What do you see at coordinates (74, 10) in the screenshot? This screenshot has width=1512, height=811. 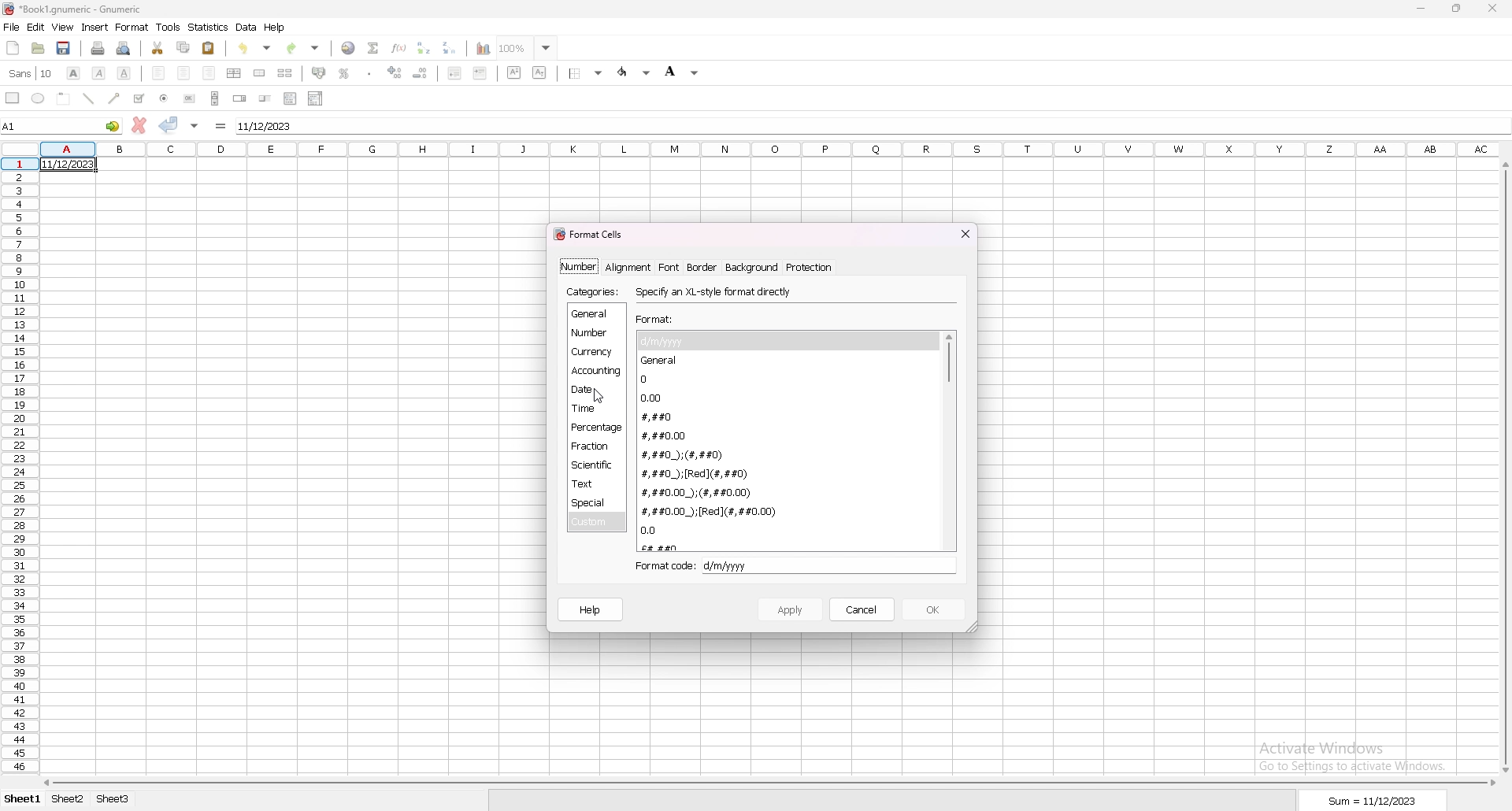 I see `file name` at bounding box center [74, 10].